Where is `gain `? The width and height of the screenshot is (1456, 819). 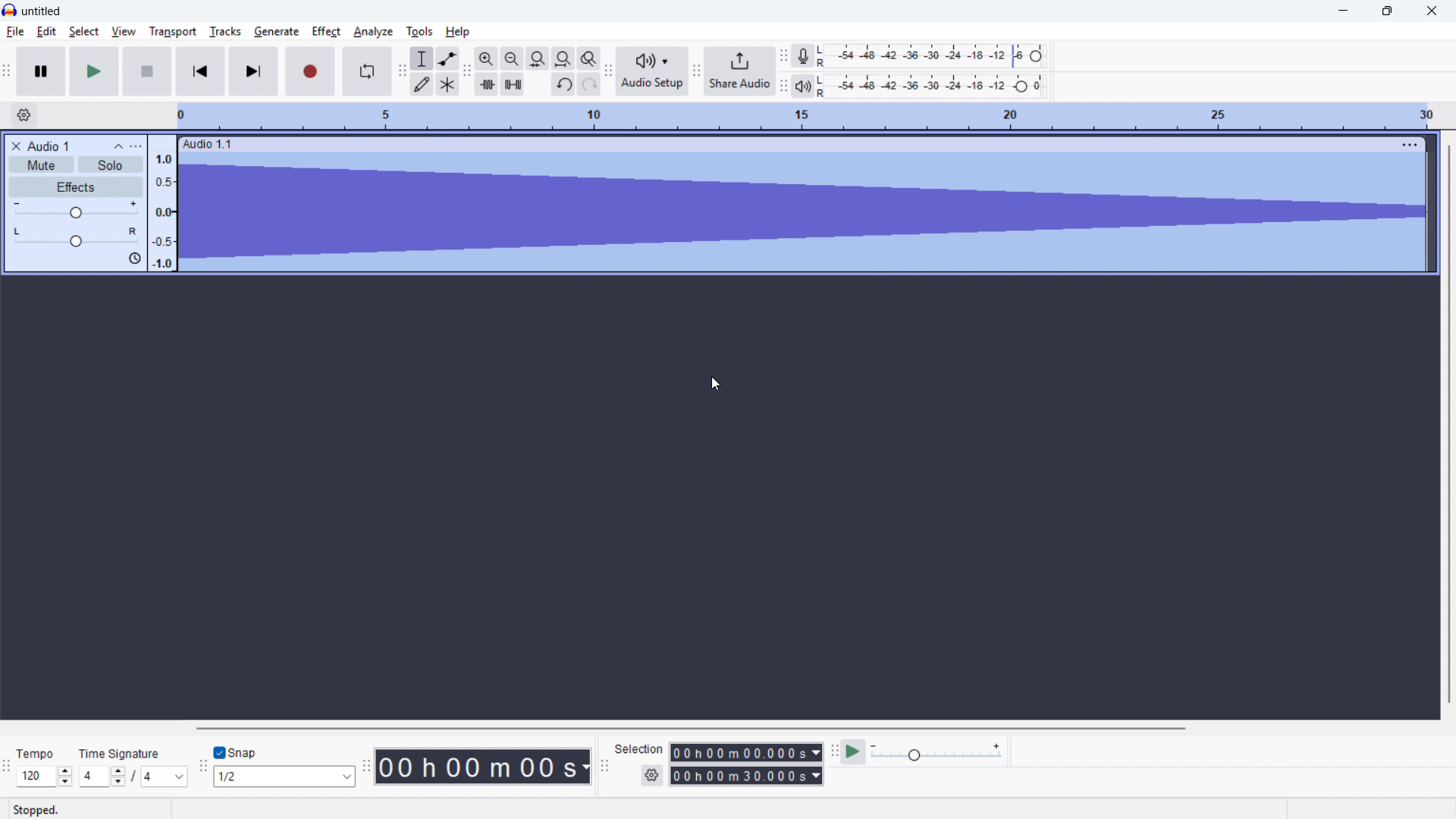
gain  is located at coordinates (77, 209).